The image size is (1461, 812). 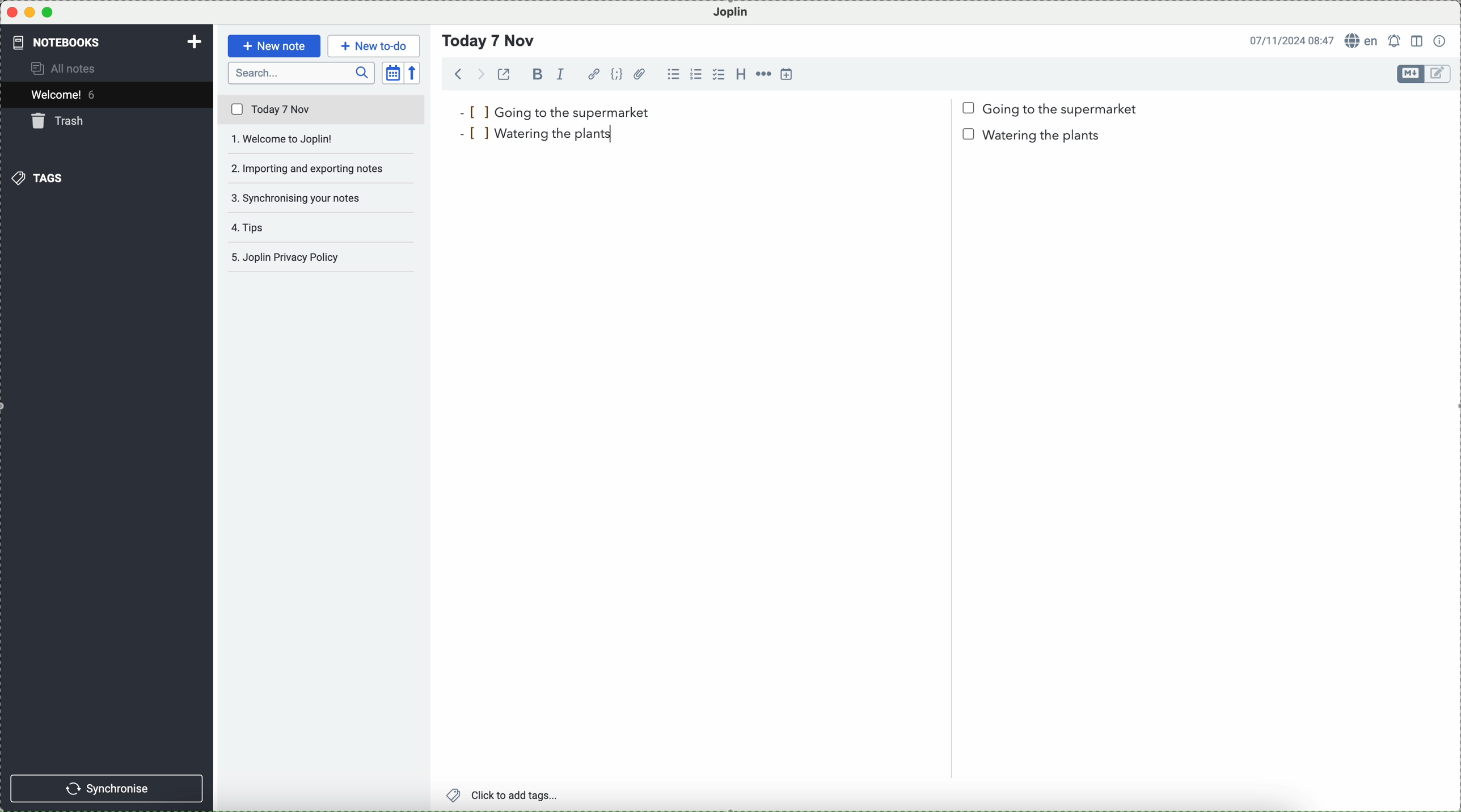 I want to click on horizontal rule, so click(x=763, y=74).